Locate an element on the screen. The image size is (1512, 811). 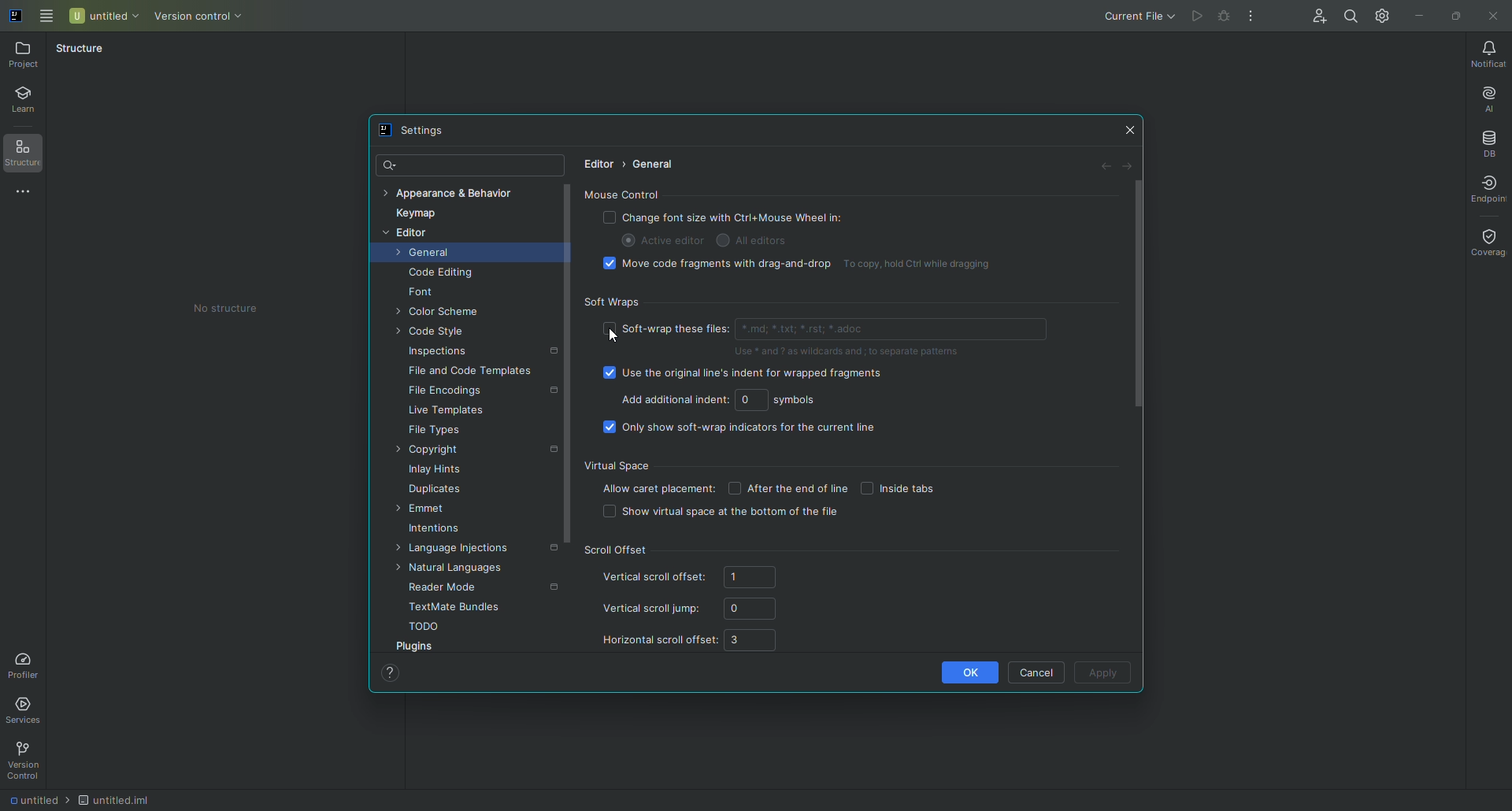
Structure is located at coordinates (31, 157).